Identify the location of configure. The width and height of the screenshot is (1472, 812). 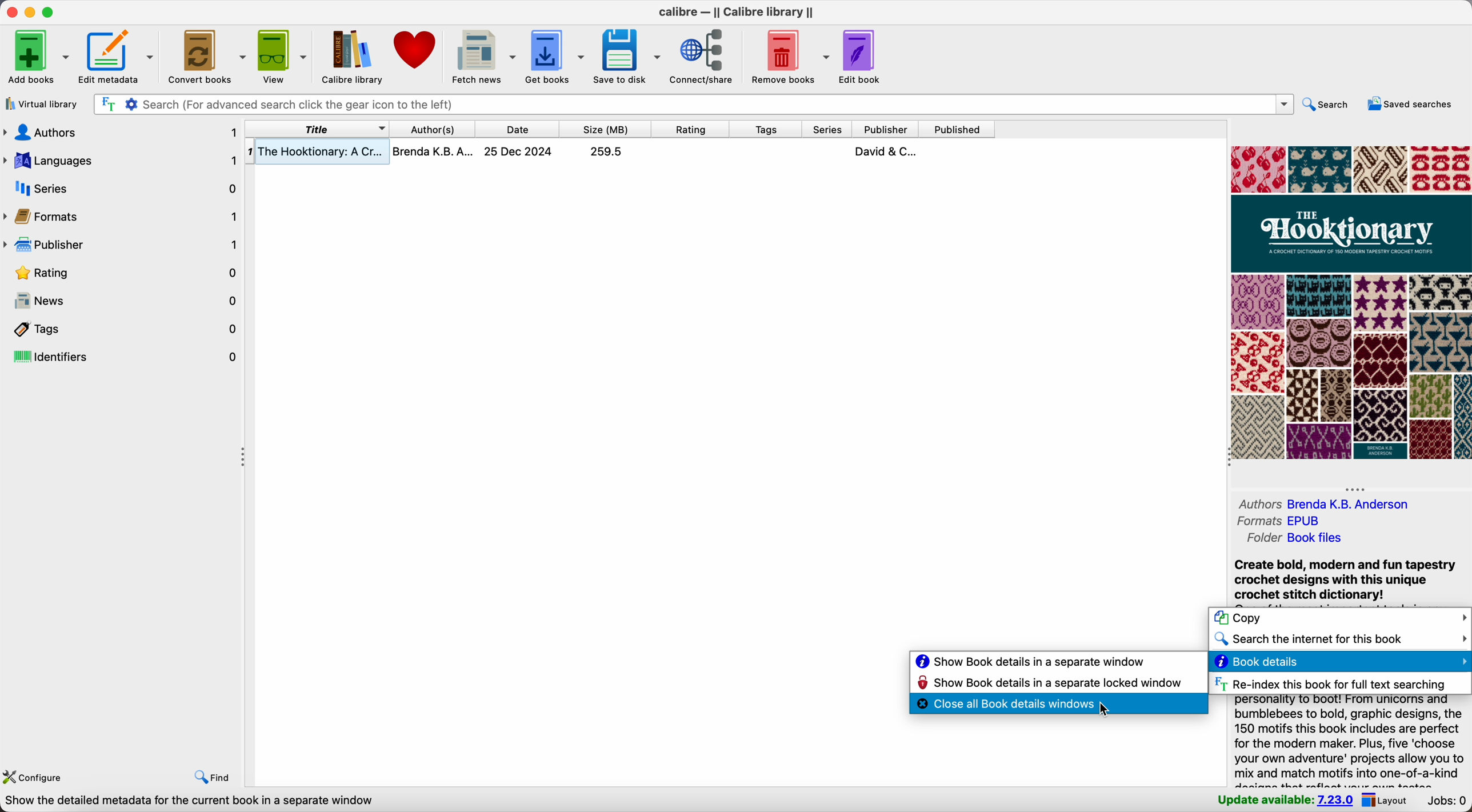
(38, 778).